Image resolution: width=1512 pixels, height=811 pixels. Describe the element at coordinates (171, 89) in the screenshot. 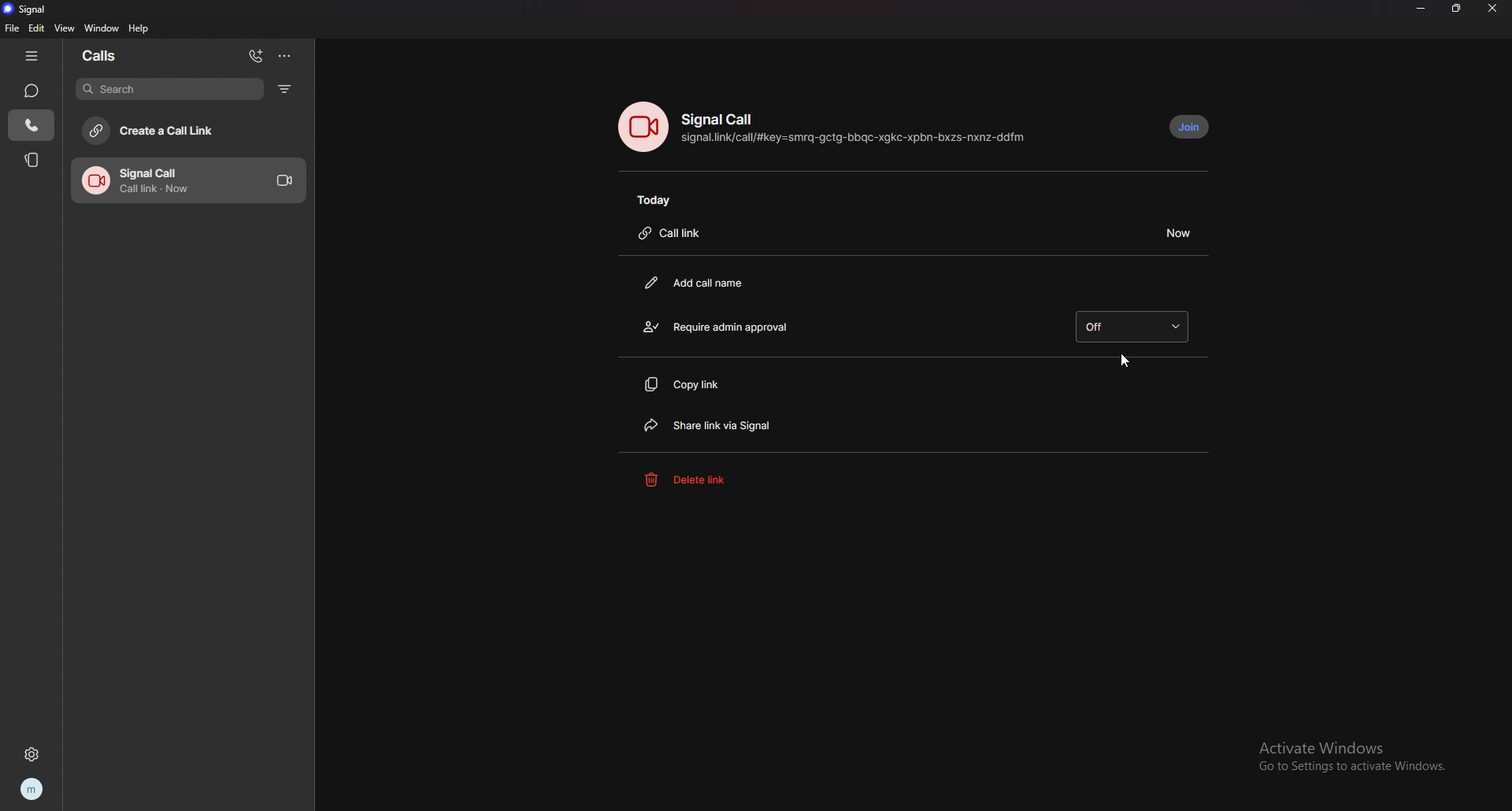

I see `search` at that location.